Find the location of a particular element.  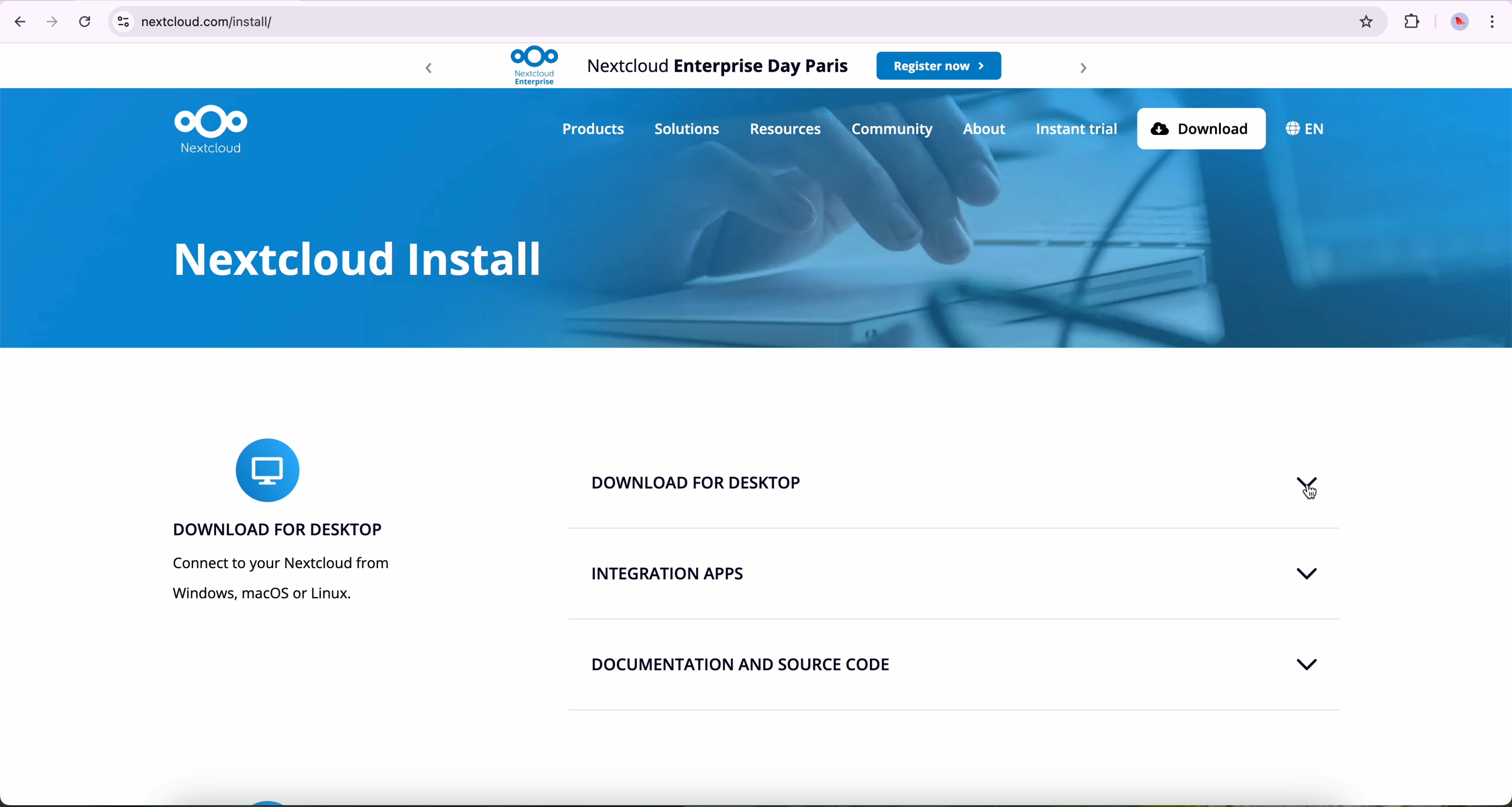

navigate back is located at coordinates (18, 21).